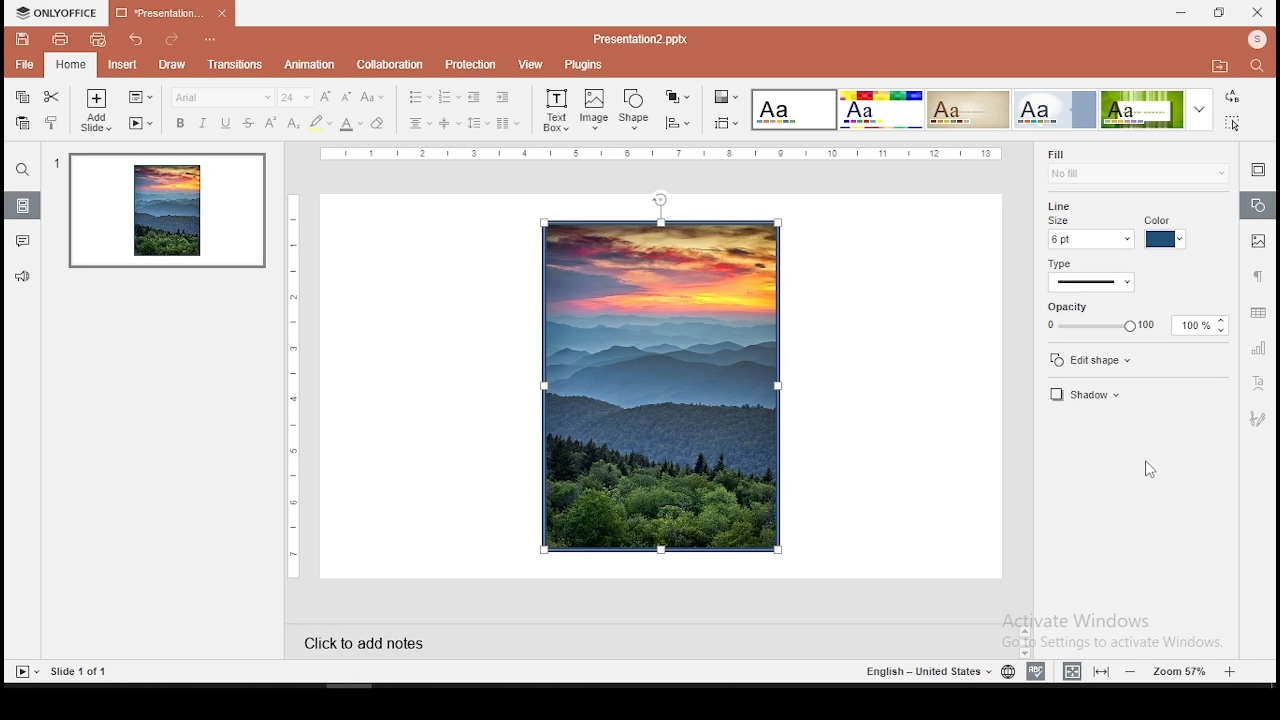 The height and width of the screenshot is (720, 1280). What do you see at coordinates (1085, 396) in the screenshot?
I see `shadow` at bounding box center [1085, 396].